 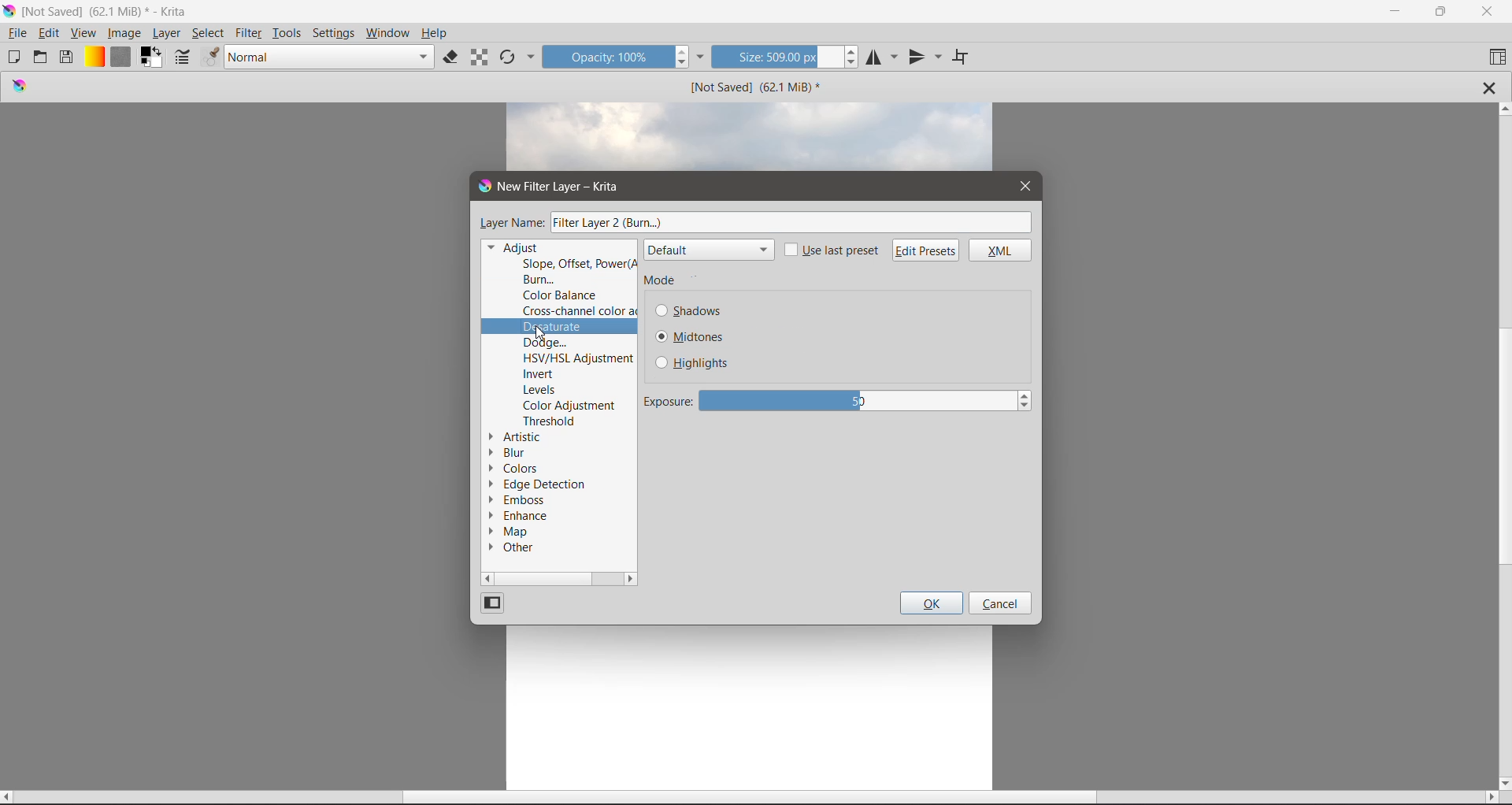 I want to click on Vertical Scroll Tab, so click(x=1503, y=445).